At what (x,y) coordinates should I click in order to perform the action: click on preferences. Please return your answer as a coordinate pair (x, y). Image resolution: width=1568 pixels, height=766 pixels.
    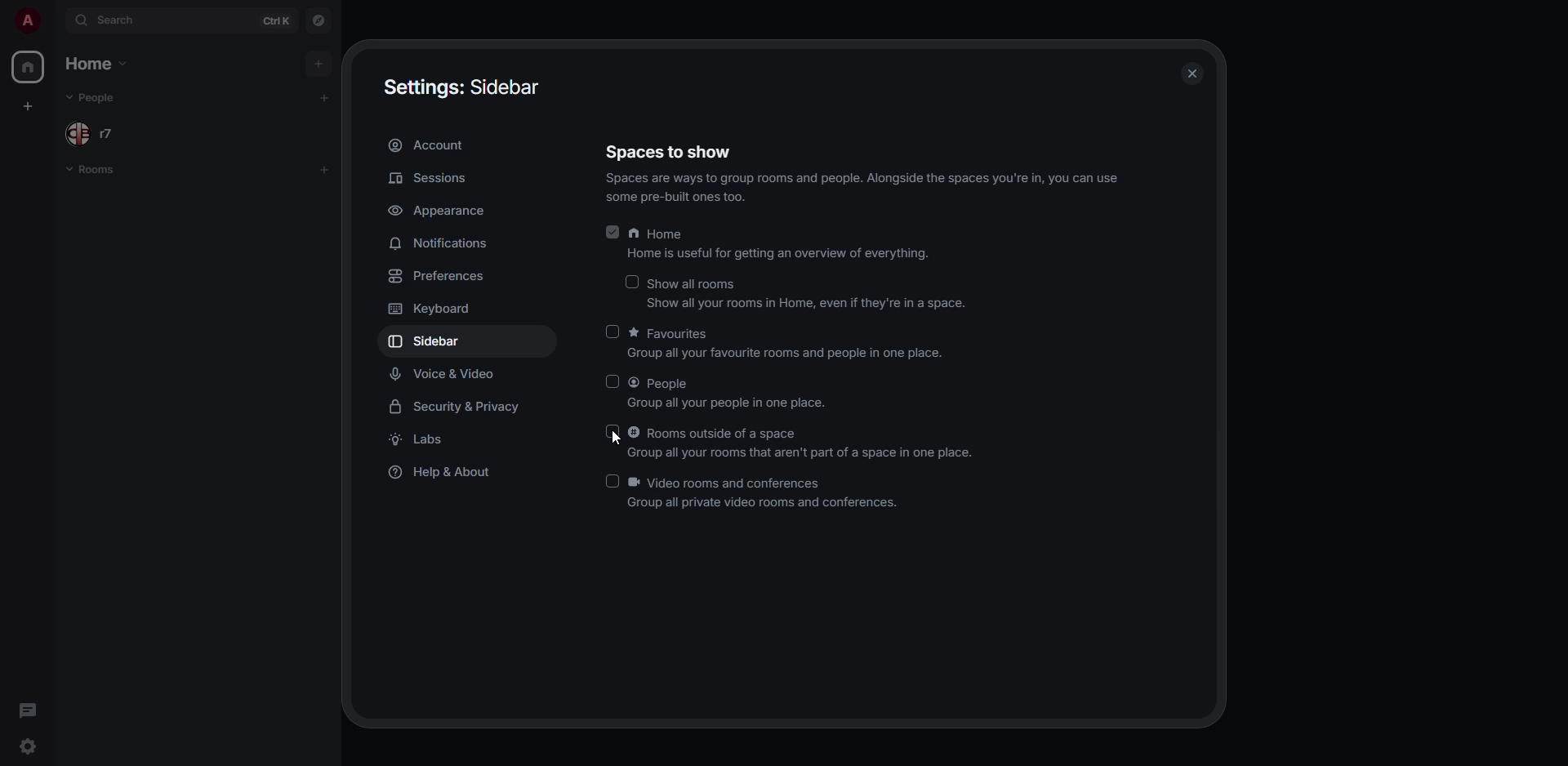
    Looking at the image, I should click on (443, 276).